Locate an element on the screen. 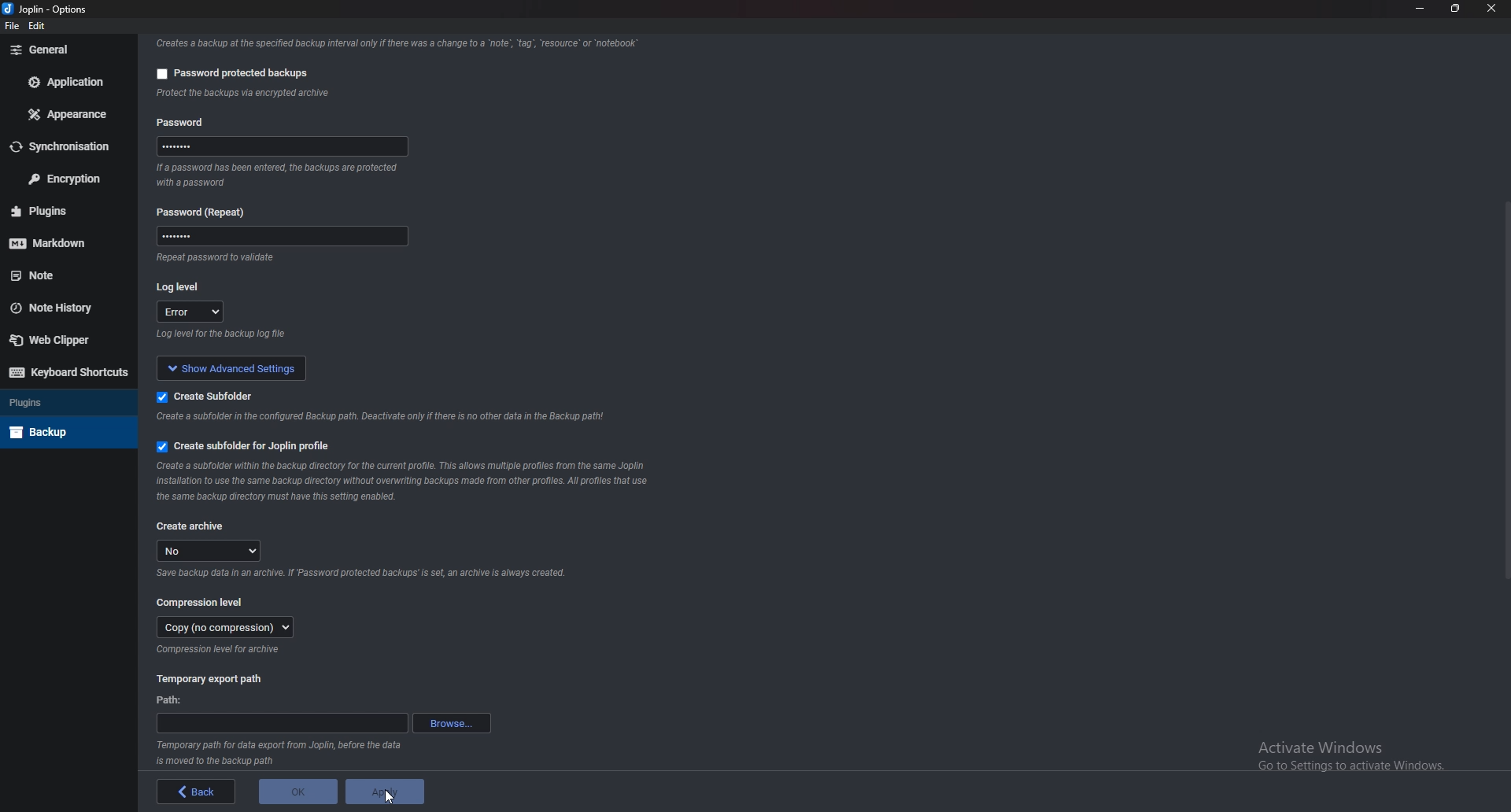 The width and height of the screenshot is (1511, 812). file is located at coordinates (12, 26).